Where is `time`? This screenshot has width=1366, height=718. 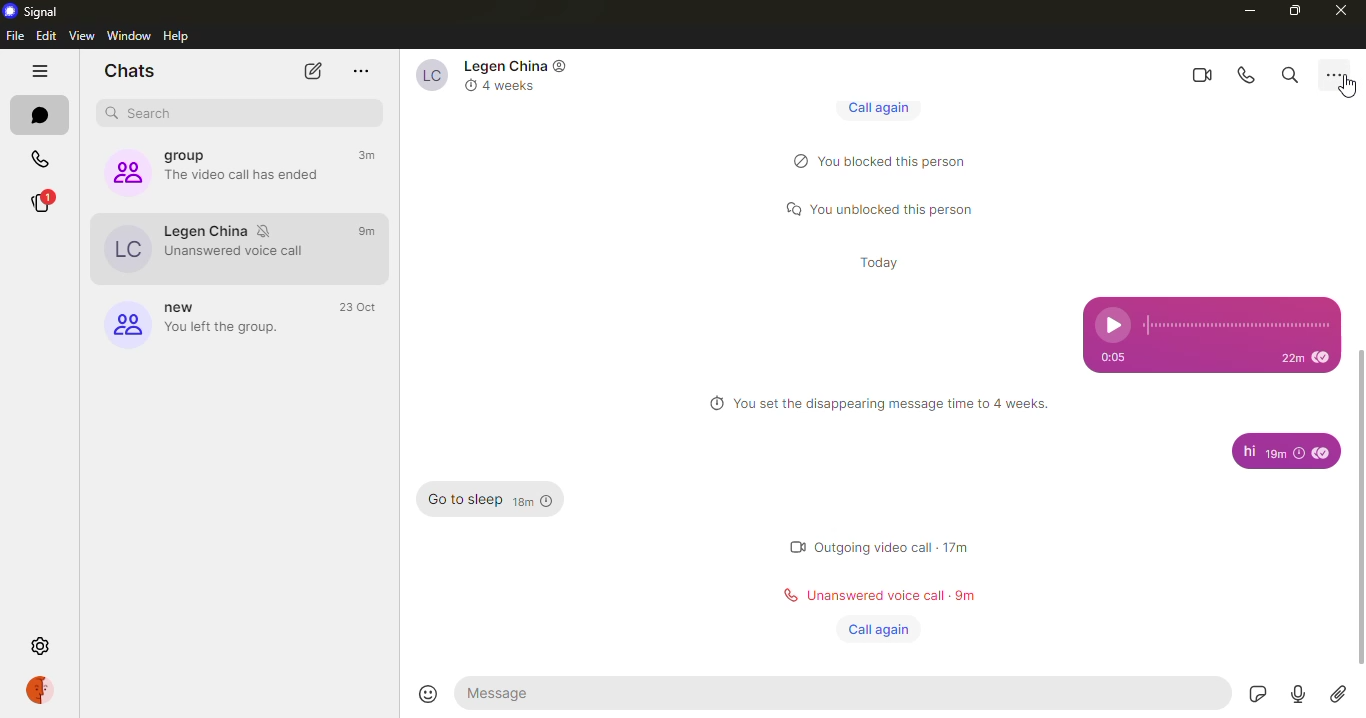 time is located at coordinates (883, 262).